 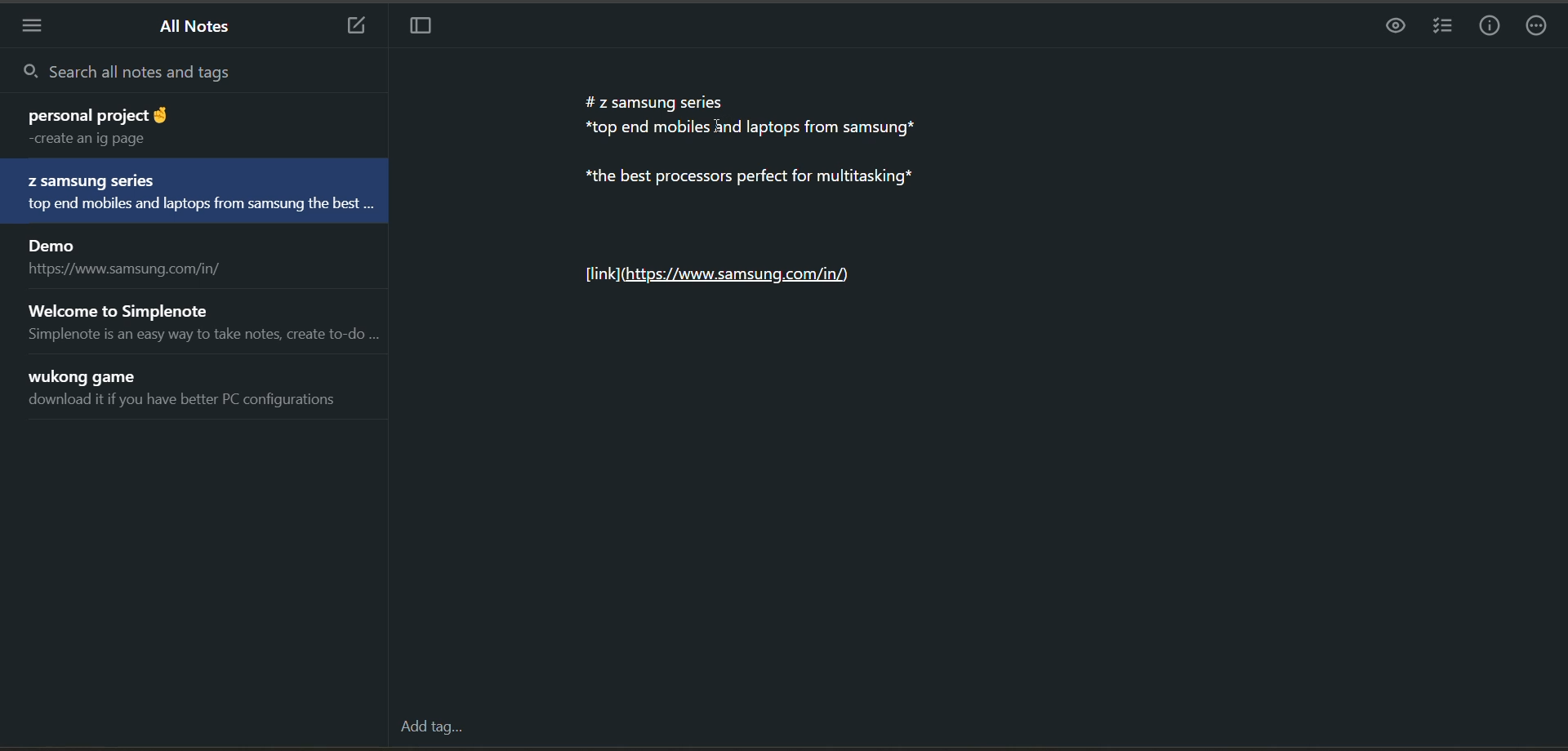 I want to click on actions, so click(x=1538, y=29).